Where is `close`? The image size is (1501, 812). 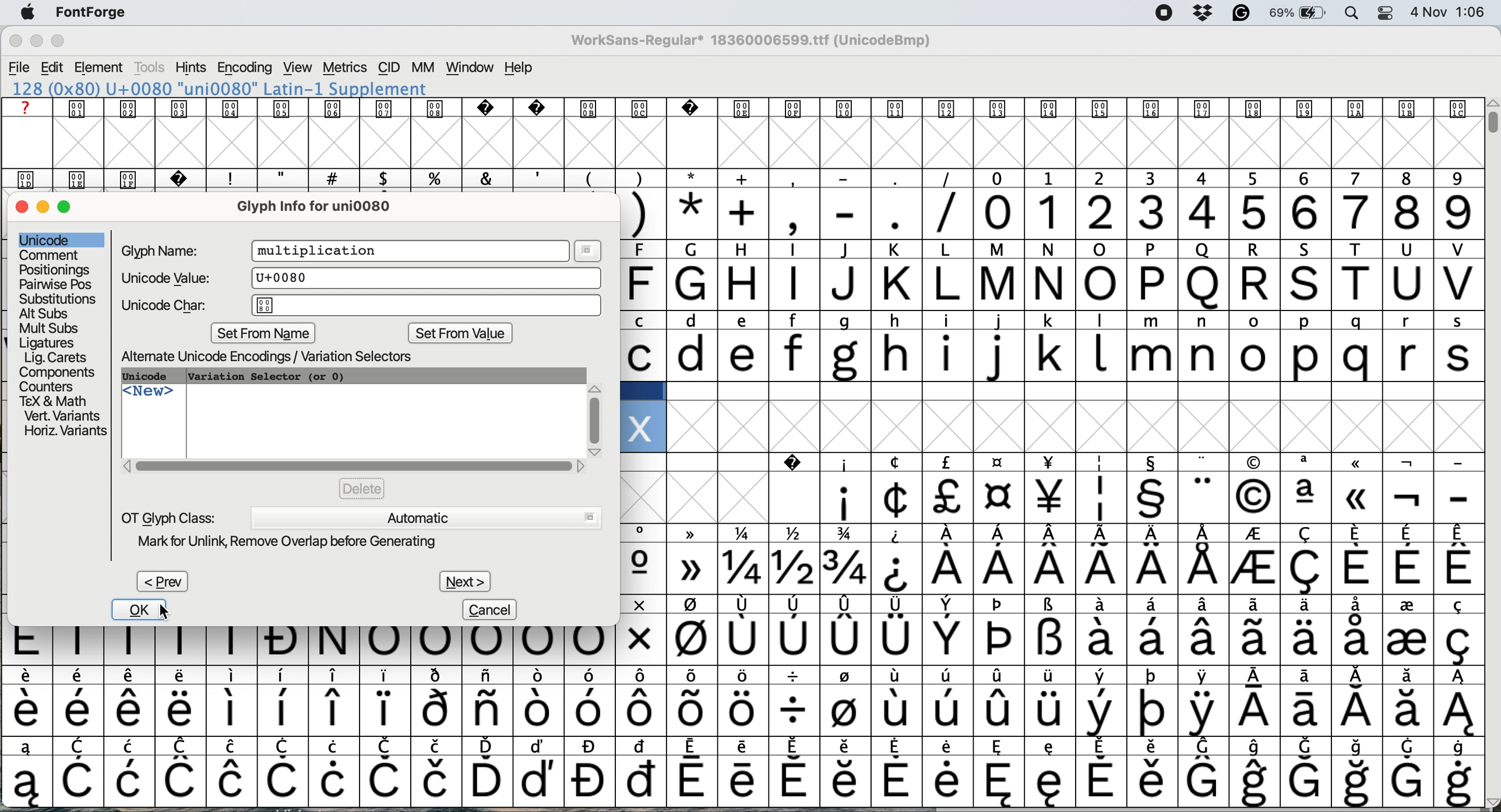 close is located at coordinates (15, 43).